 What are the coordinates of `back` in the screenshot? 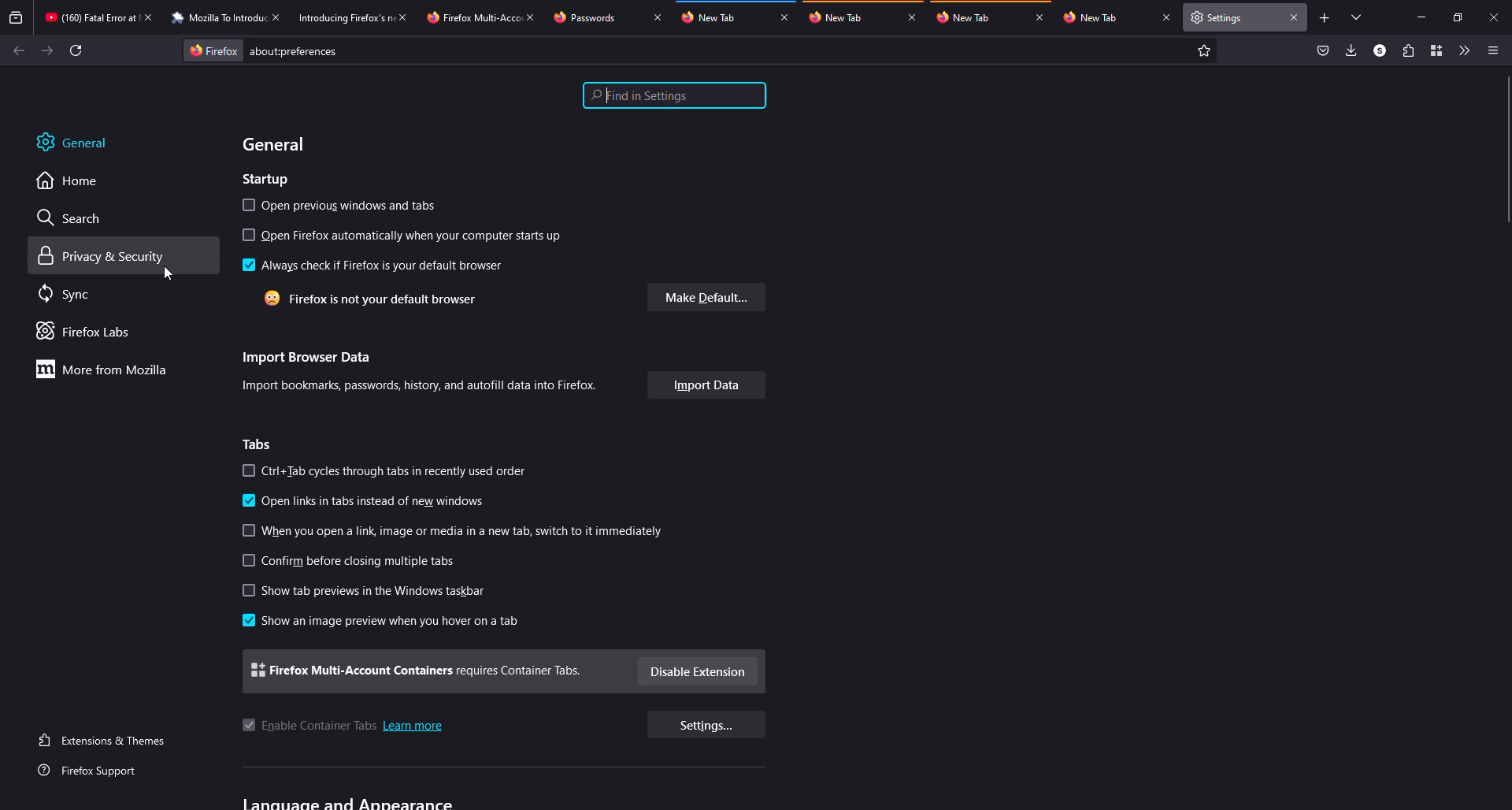 It's located at (15, 47).